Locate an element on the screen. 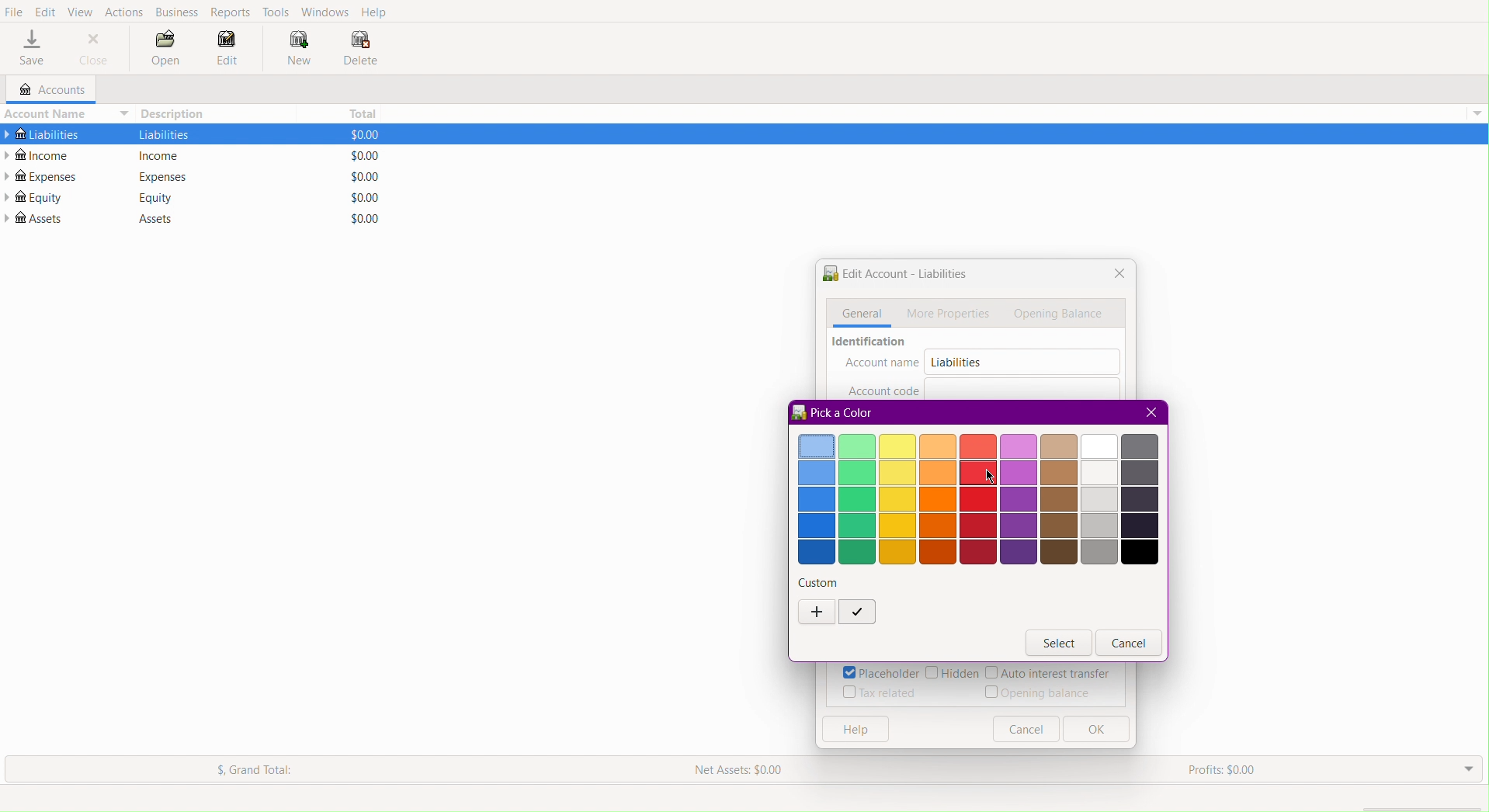 The width and height of the screenshot is (1489, 812). Grand Total is located at coordinates (256, 769).